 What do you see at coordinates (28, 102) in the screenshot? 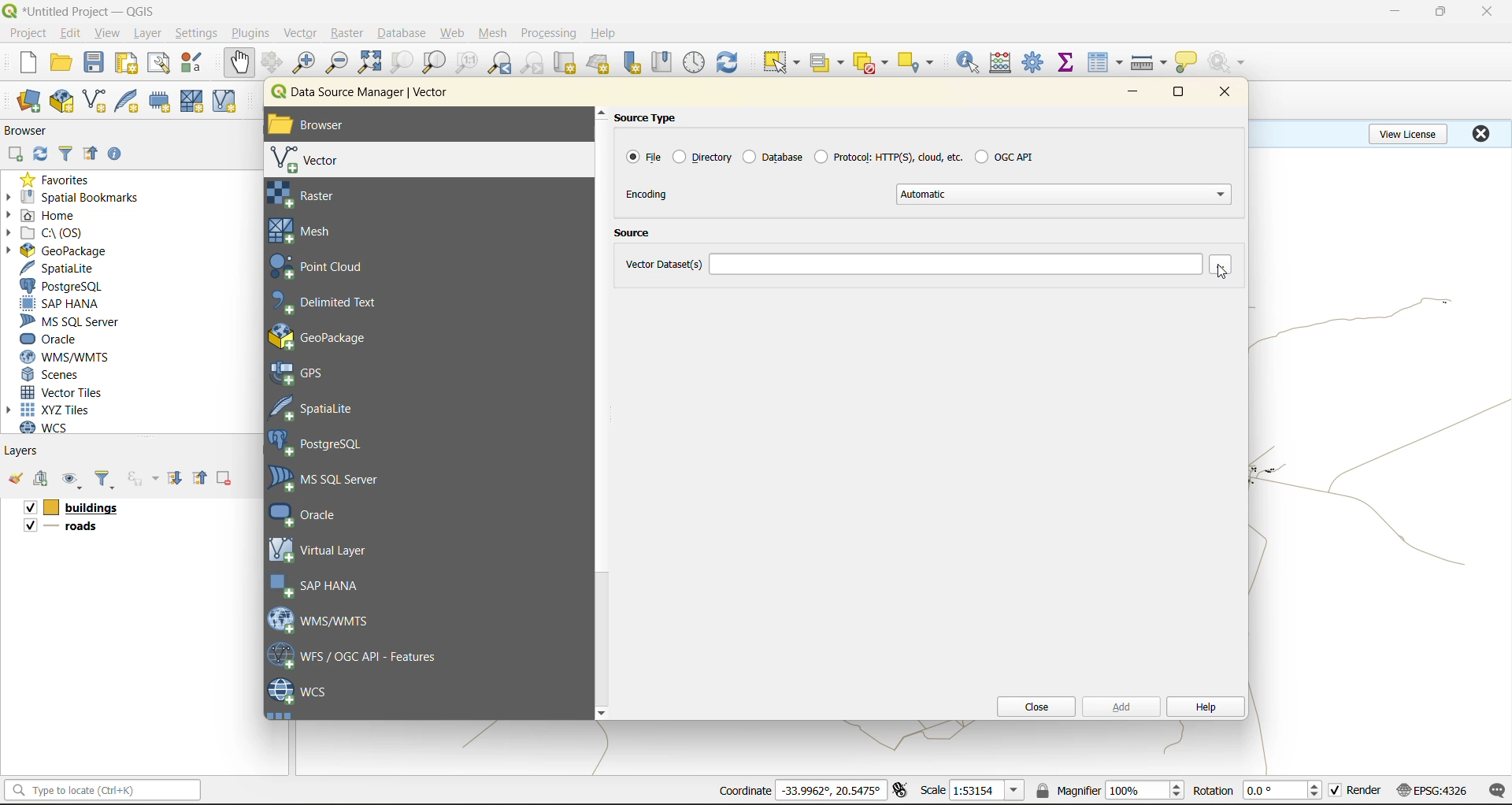
I see `open data source manager` at bounding box center [28, 102].